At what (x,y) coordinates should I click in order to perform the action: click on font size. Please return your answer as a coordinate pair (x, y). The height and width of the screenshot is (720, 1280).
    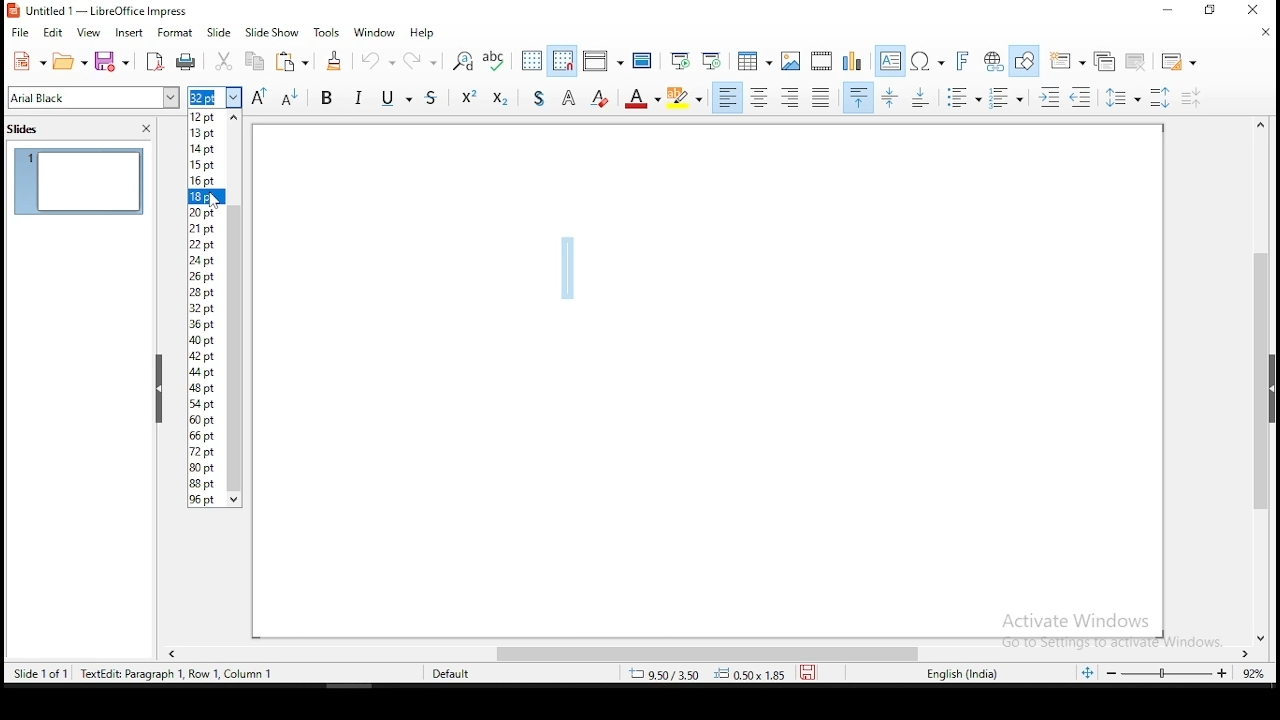
    Looking at the image, I should click on (214, 97).